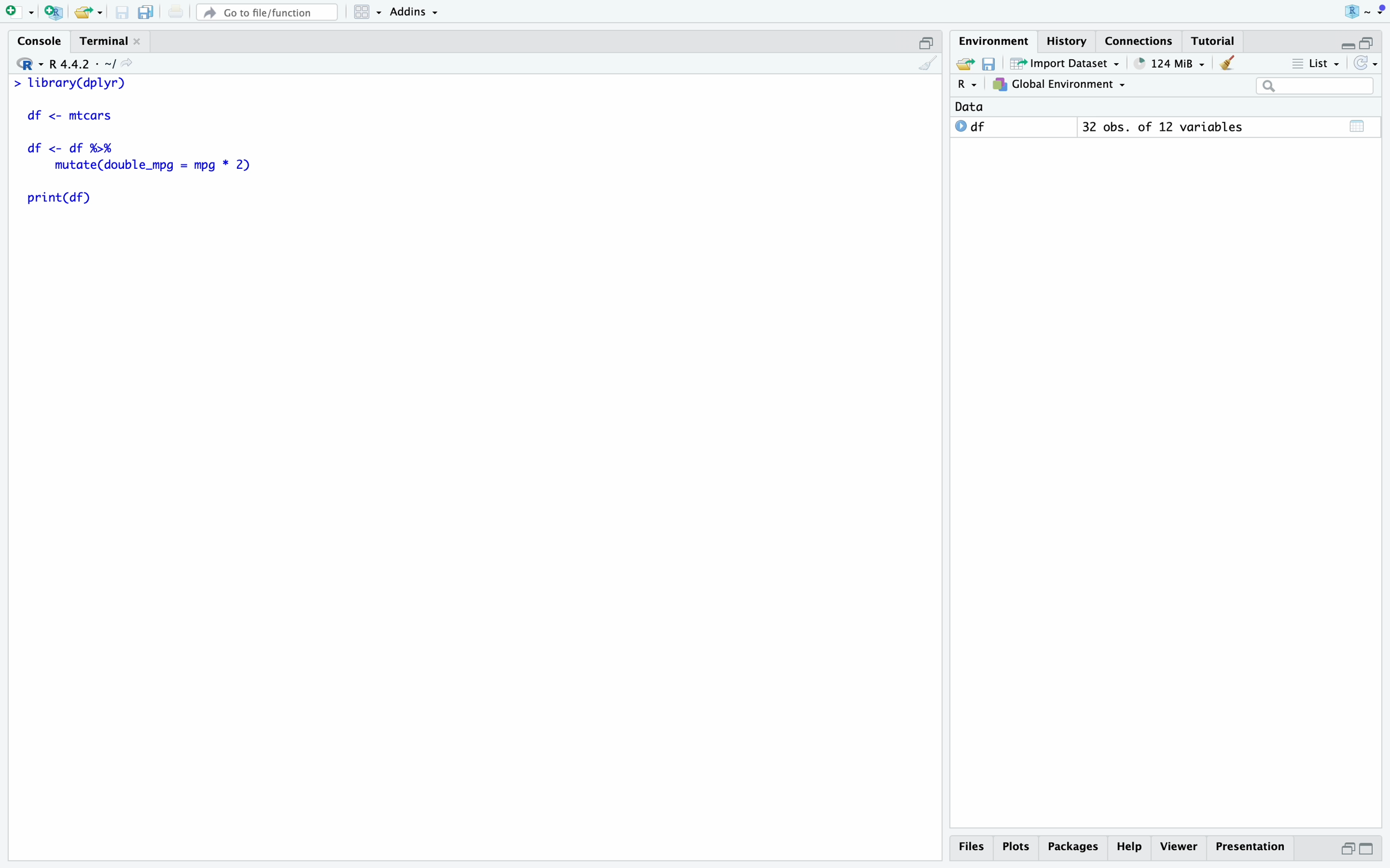 This screenshot has height=868, width=1390. I want to click on console, so click(41, 41).